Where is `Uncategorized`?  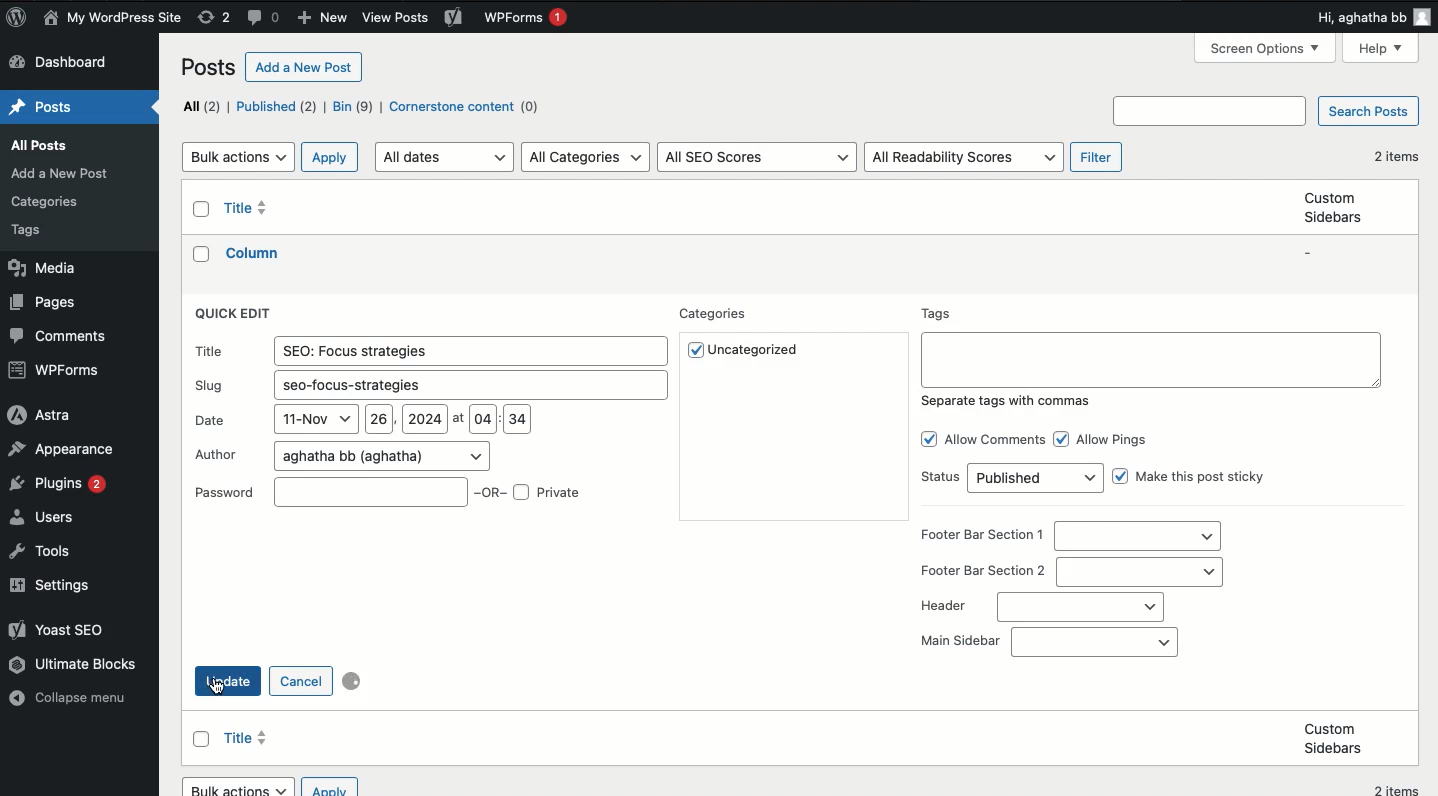
Uncategorized is located at coordinates (758, 350).